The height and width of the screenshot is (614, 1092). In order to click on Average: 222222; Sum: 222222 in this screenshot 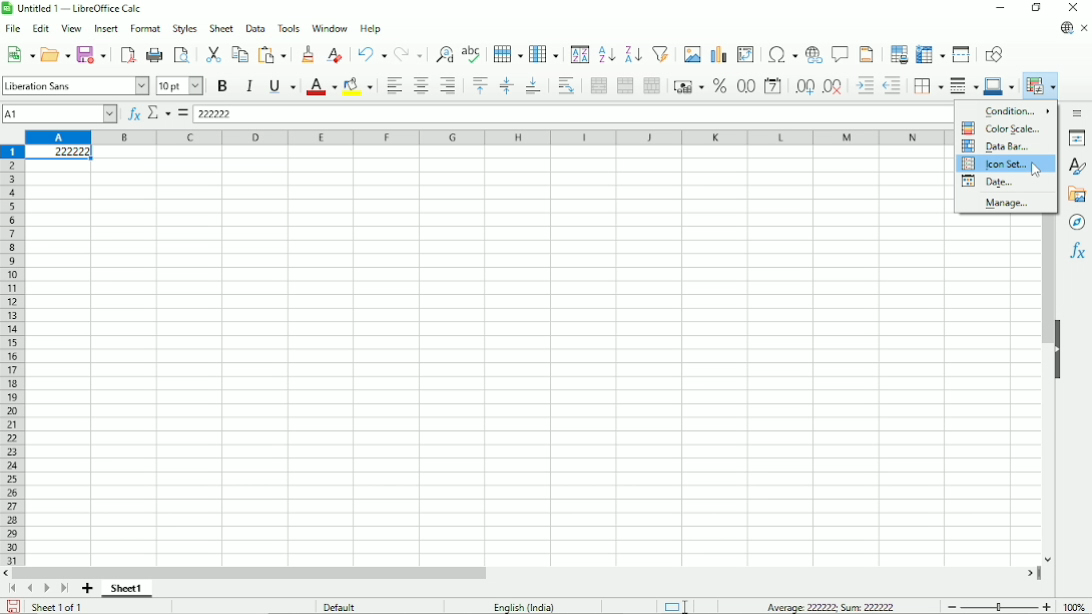, I will do `click(828, 607)`.